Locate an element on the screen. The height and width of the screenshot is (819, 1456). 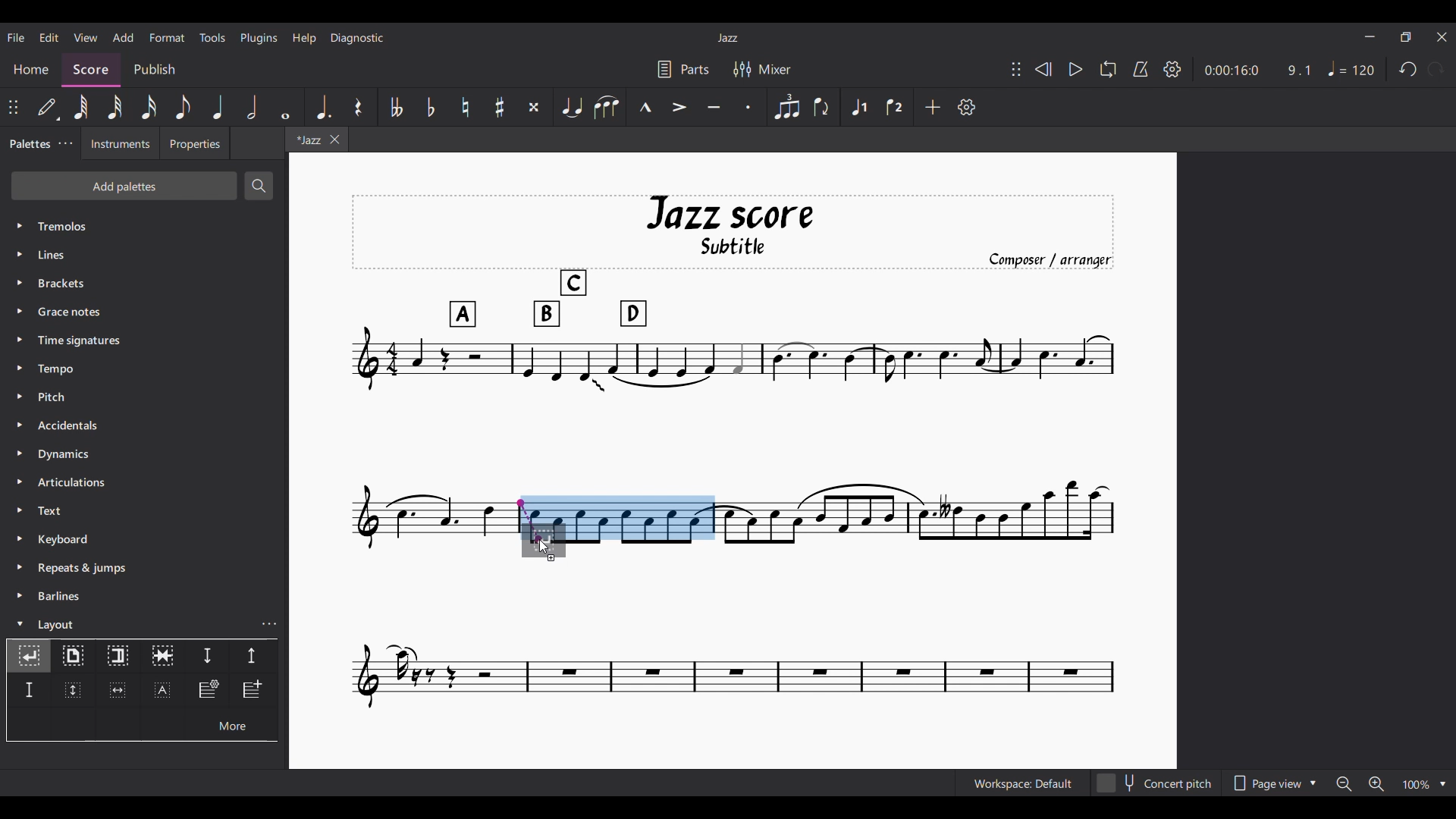
Brackets is located at coordinates (144, 283).